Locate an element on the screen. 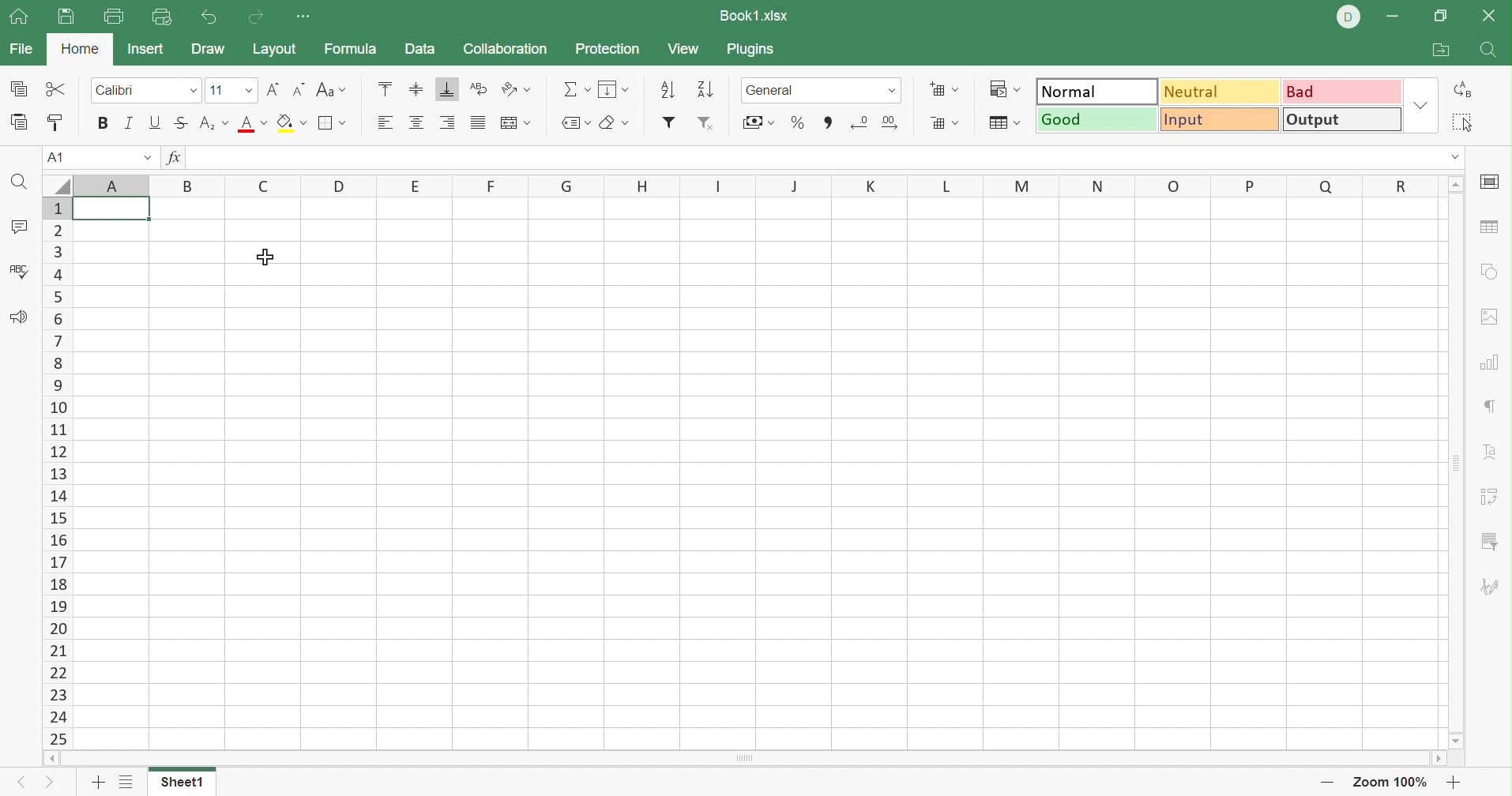 This screenshot has height=796, width=1512. Restore down is located at coordinates (1442, 16).